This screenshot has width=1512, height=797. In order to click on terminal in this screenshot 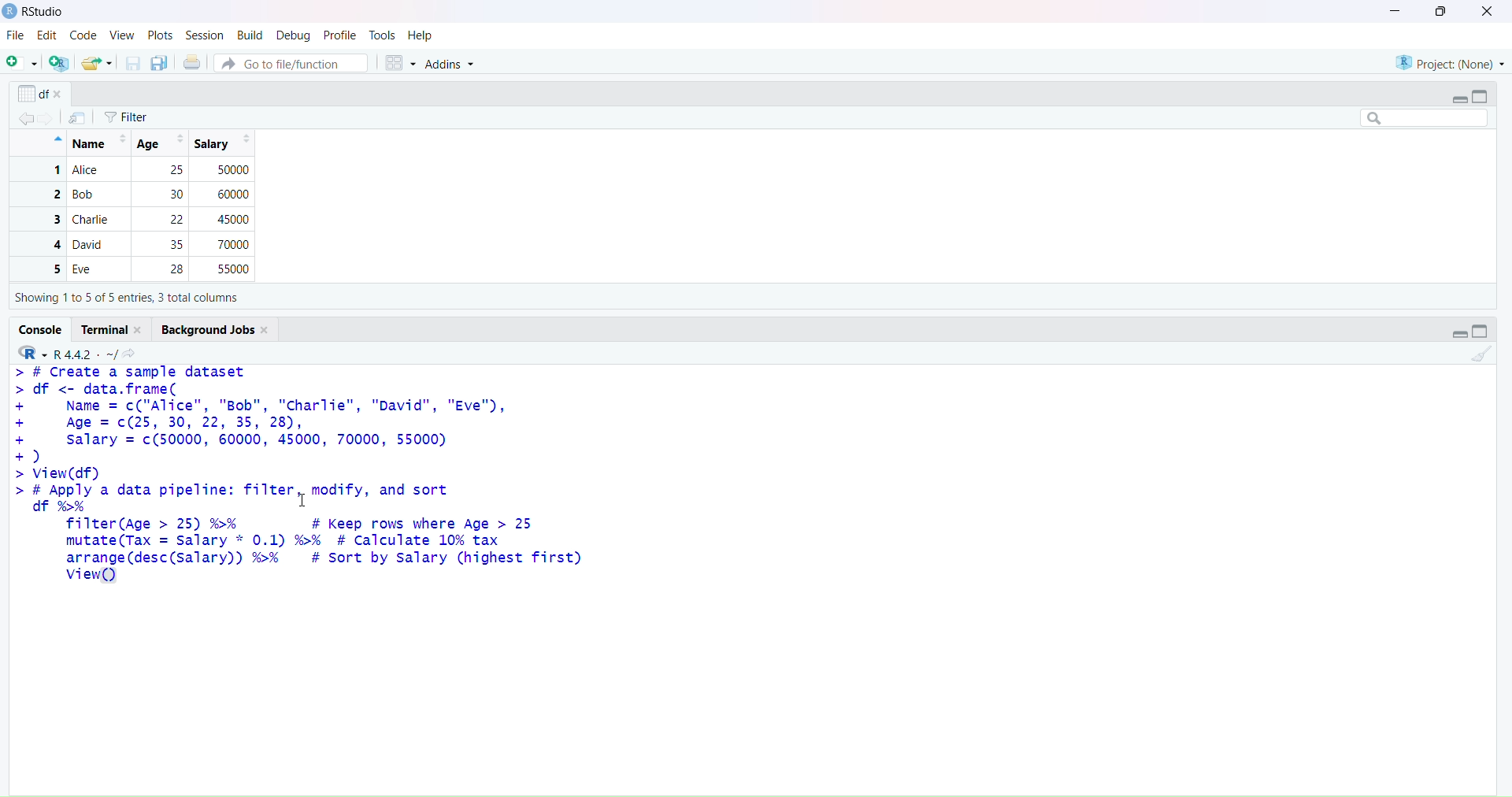, I will do `click(113, 328)`.